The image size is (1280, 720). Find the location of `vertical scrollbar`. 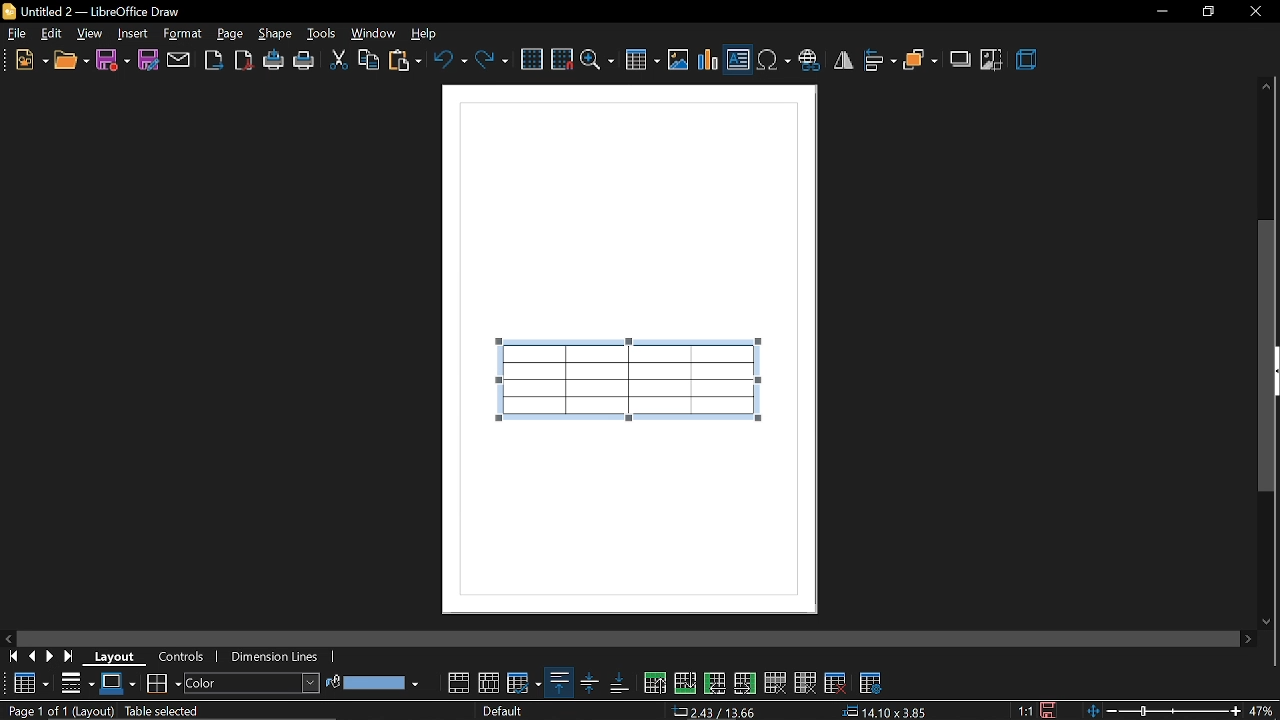

vertical scrollbar is located at coordinates (1267, 356).